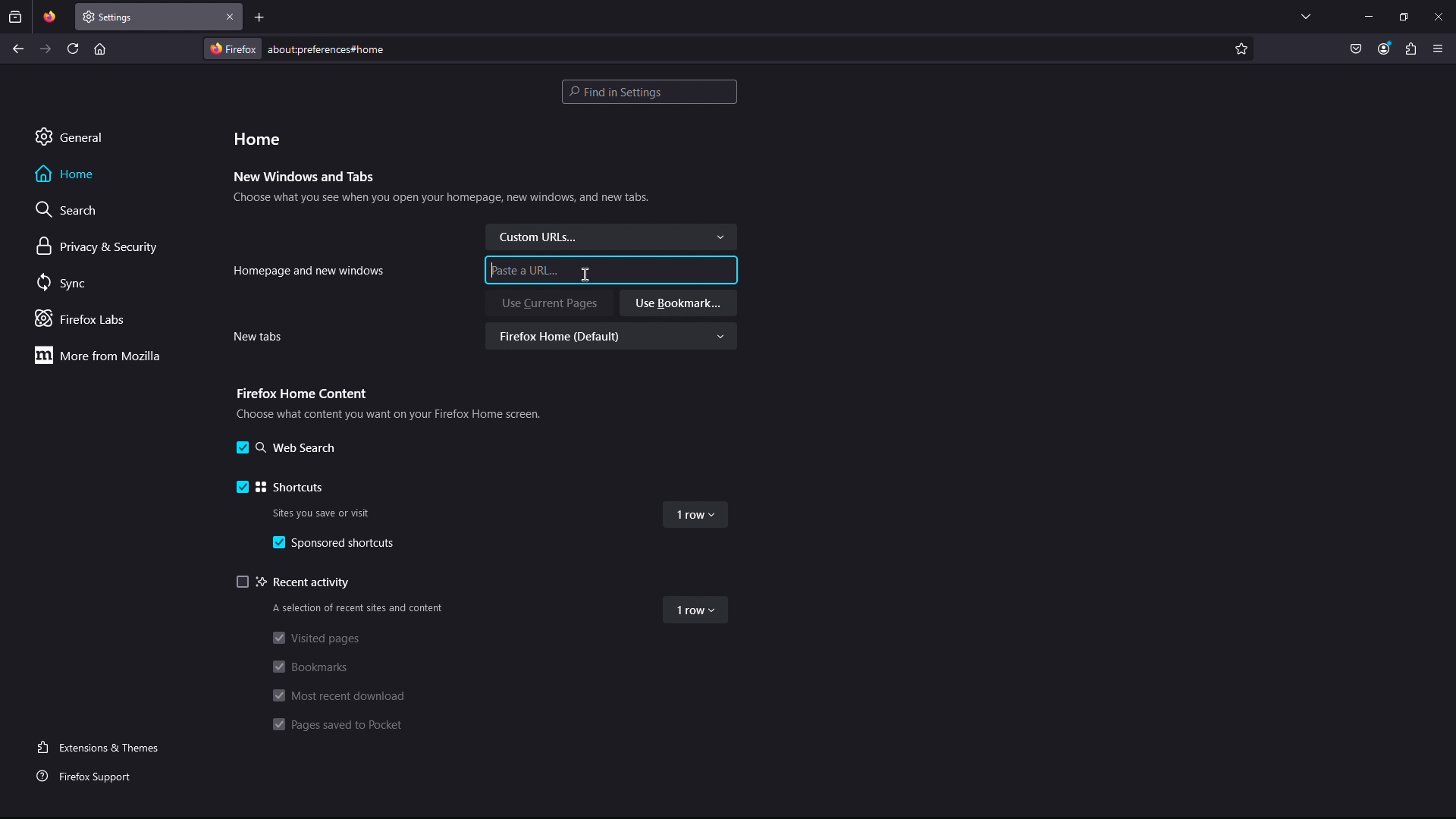 This screenshot has width=1456, height=819. What do you see at coordinates (549, 303) in the screenshot?
I see `Use Current Pages` at bounding box center [549, 303].